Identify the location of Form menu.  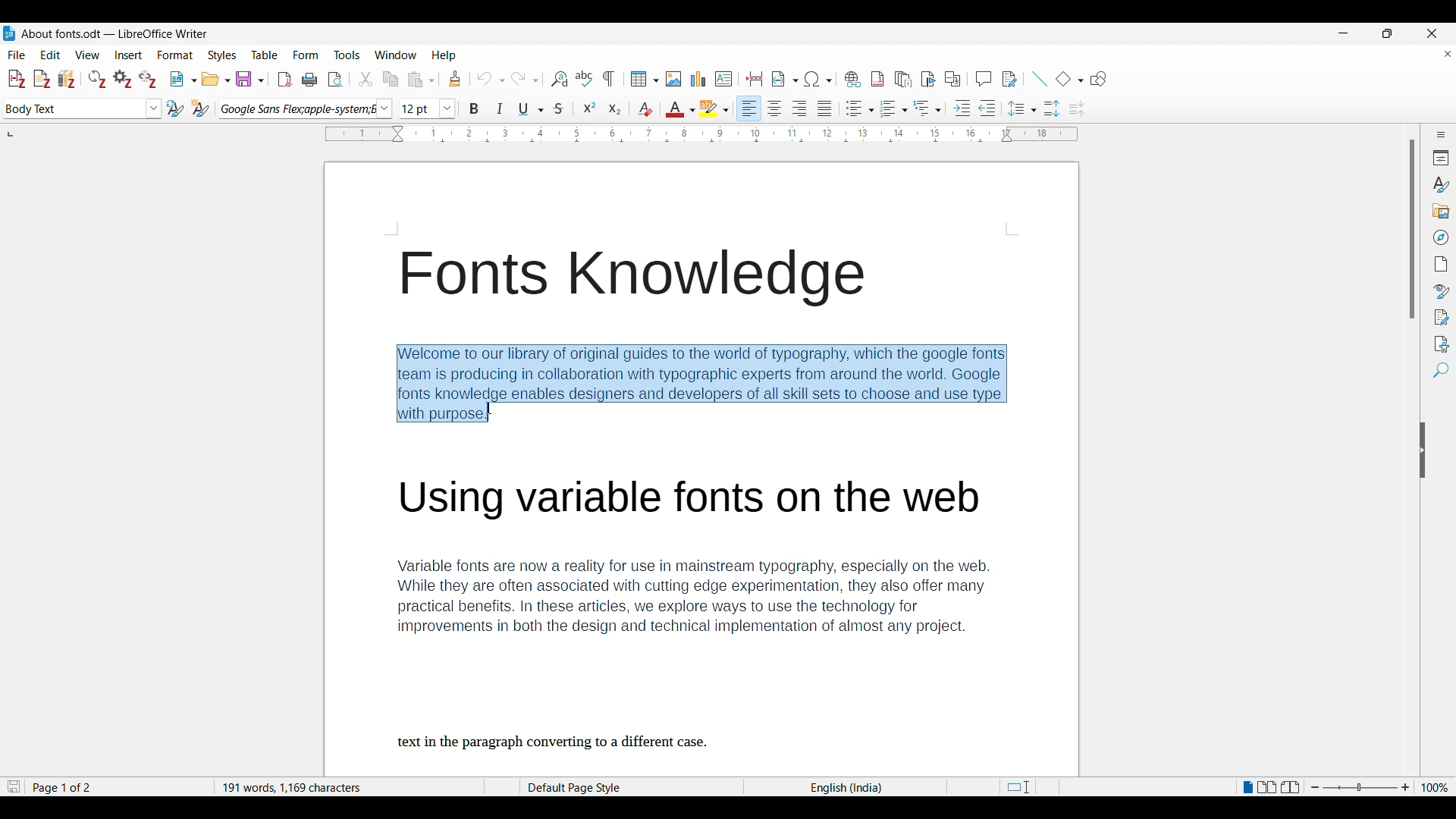
(306, 55).